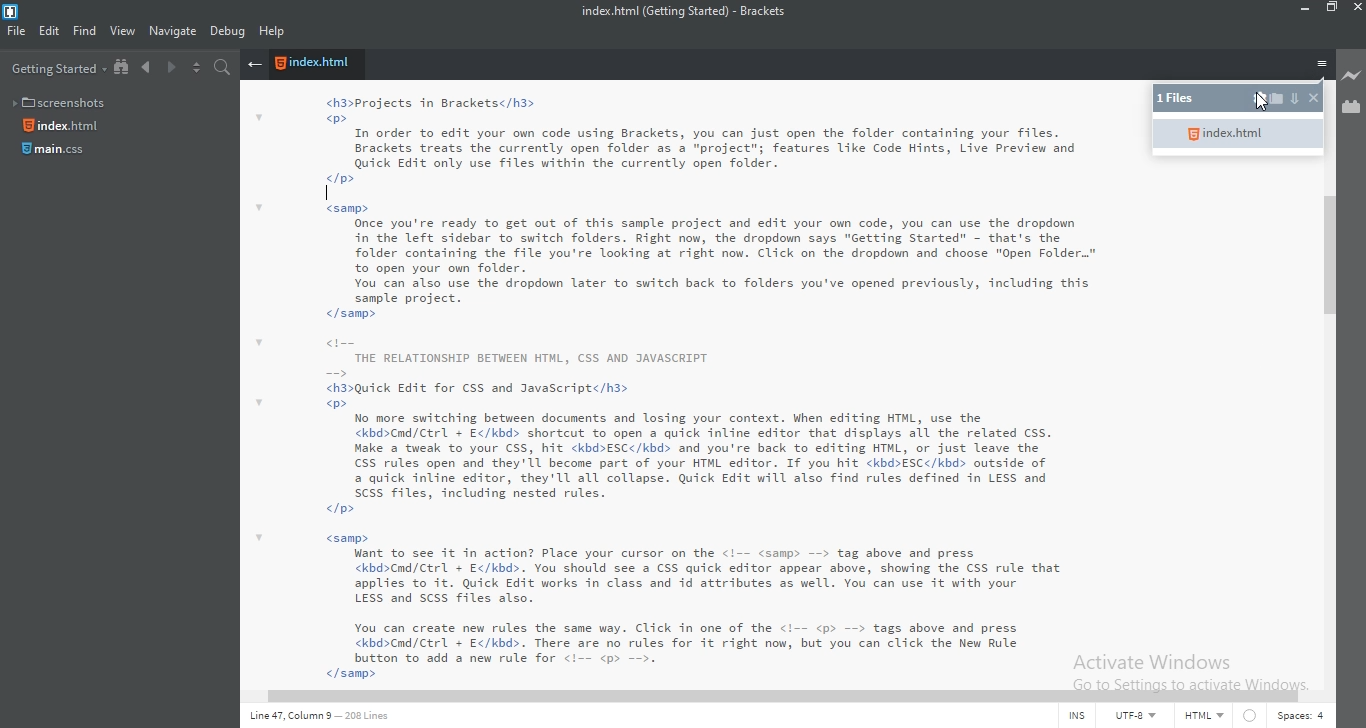  I want to click on Navigate, so click(172, 31).